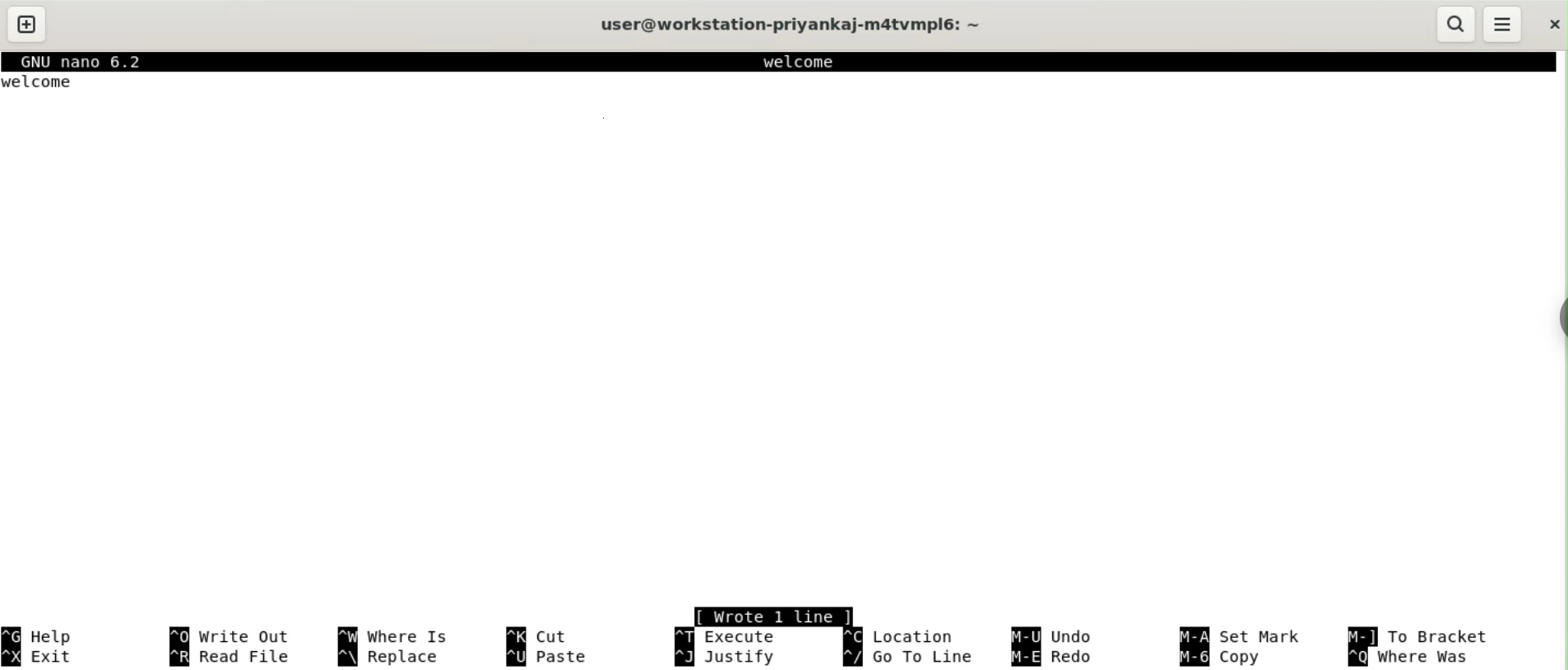 This screenshot has width=1568, height=670. Describe the element at coordinates (87, 63) in the screenshot. I see `GNU nano 6.2` at that location.